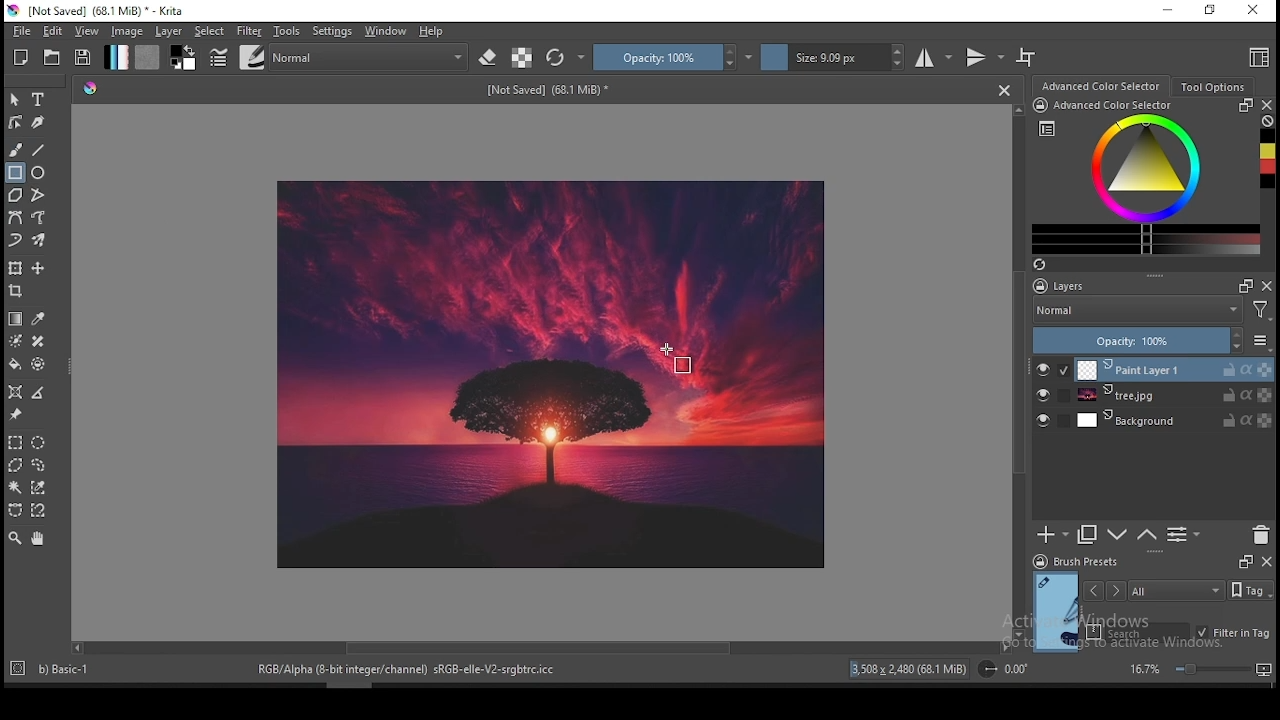 This screenshot has height=720, width=1280. I want to click on Scroll Bar, so click(539, 649).